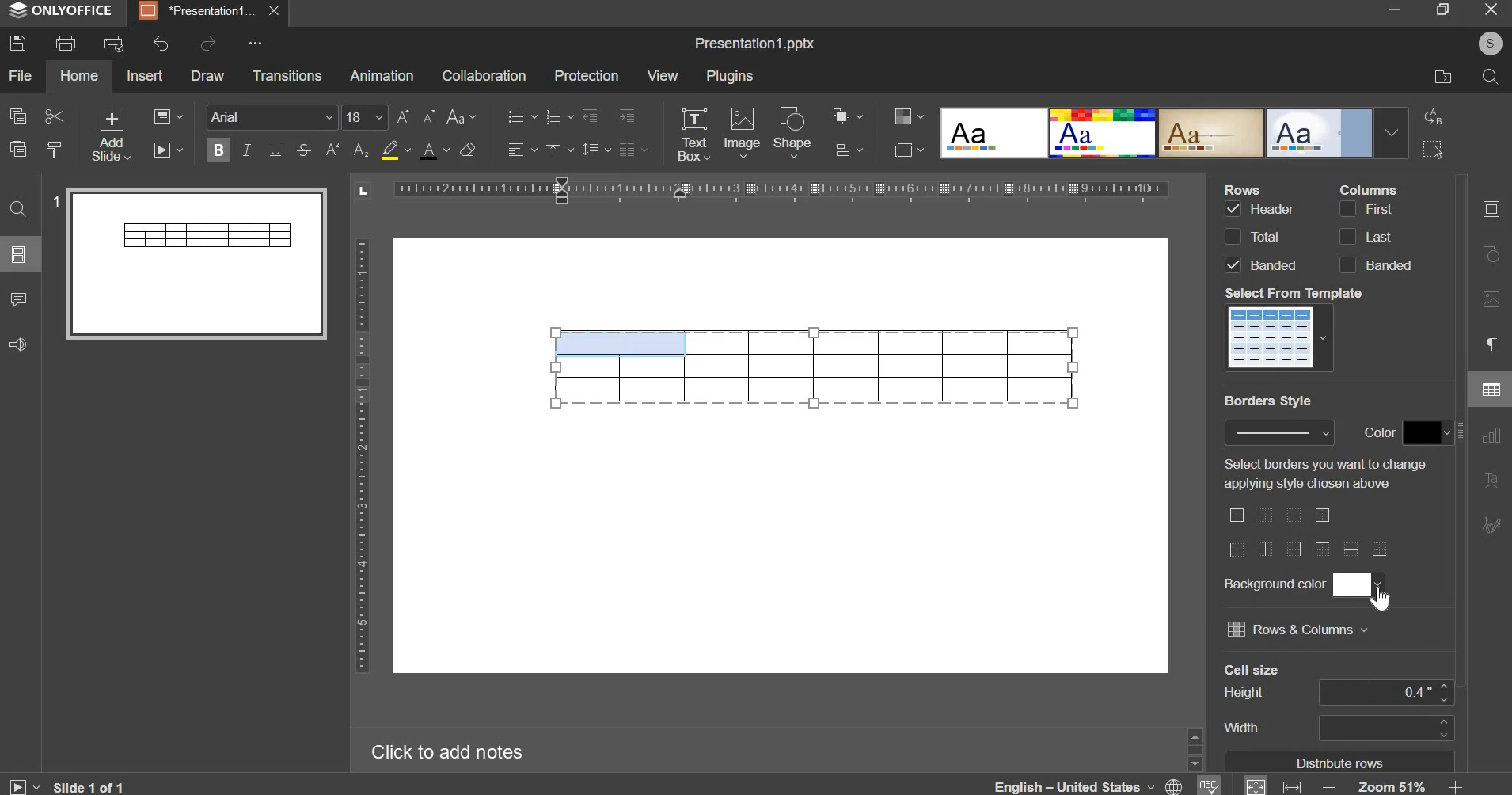  Describe the element at coordinates (112, 135) in the screenshot. I see `add slide` at that location.